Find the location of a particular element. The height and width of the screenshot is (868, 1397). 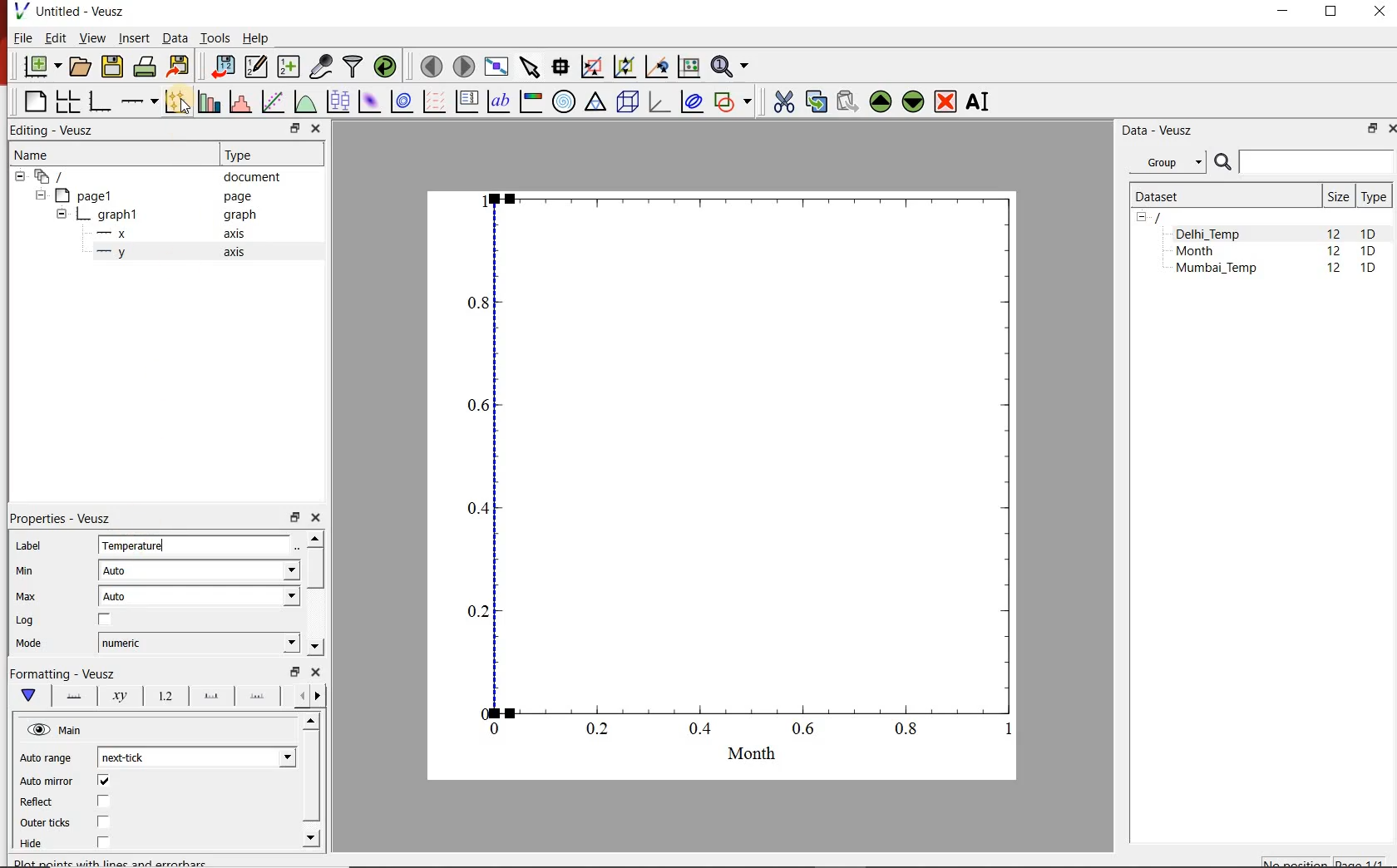

Edit is located at coordinates (54, 37).